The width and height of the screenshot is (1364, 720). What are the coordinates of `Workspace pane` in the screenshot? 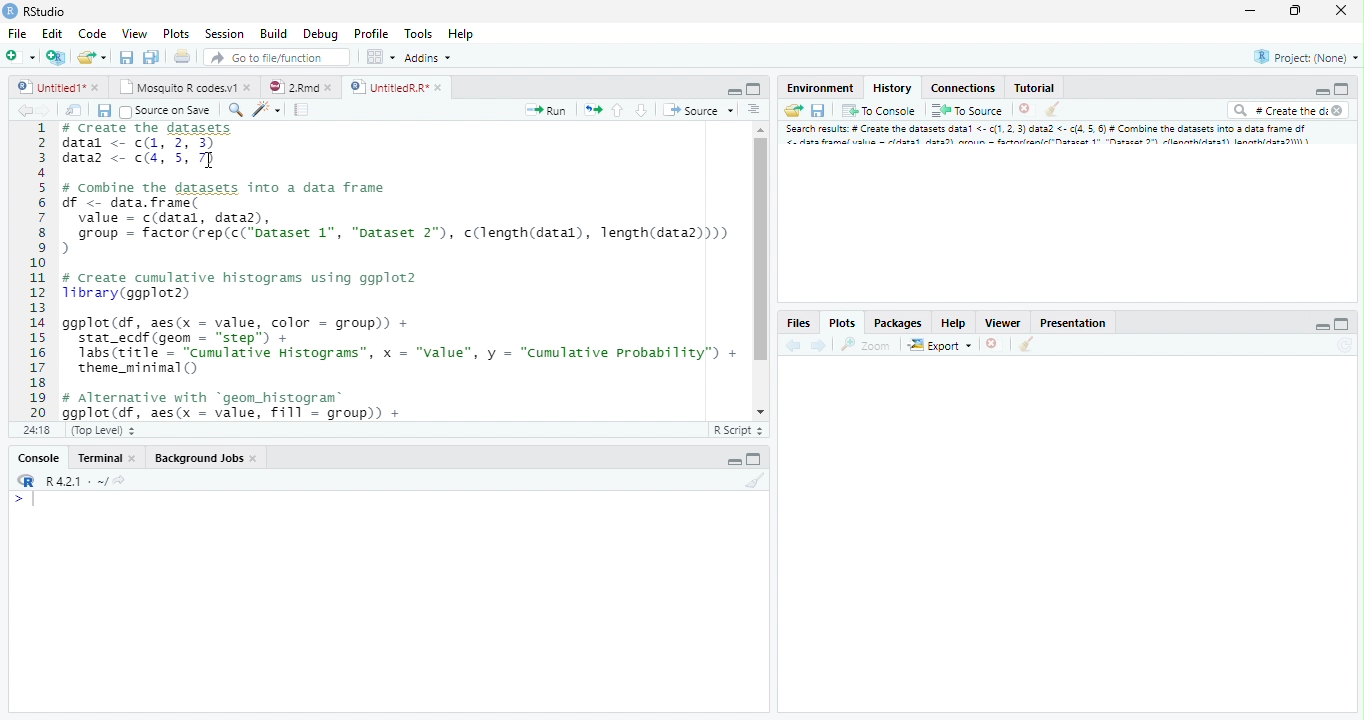 It's located at (381, 58).